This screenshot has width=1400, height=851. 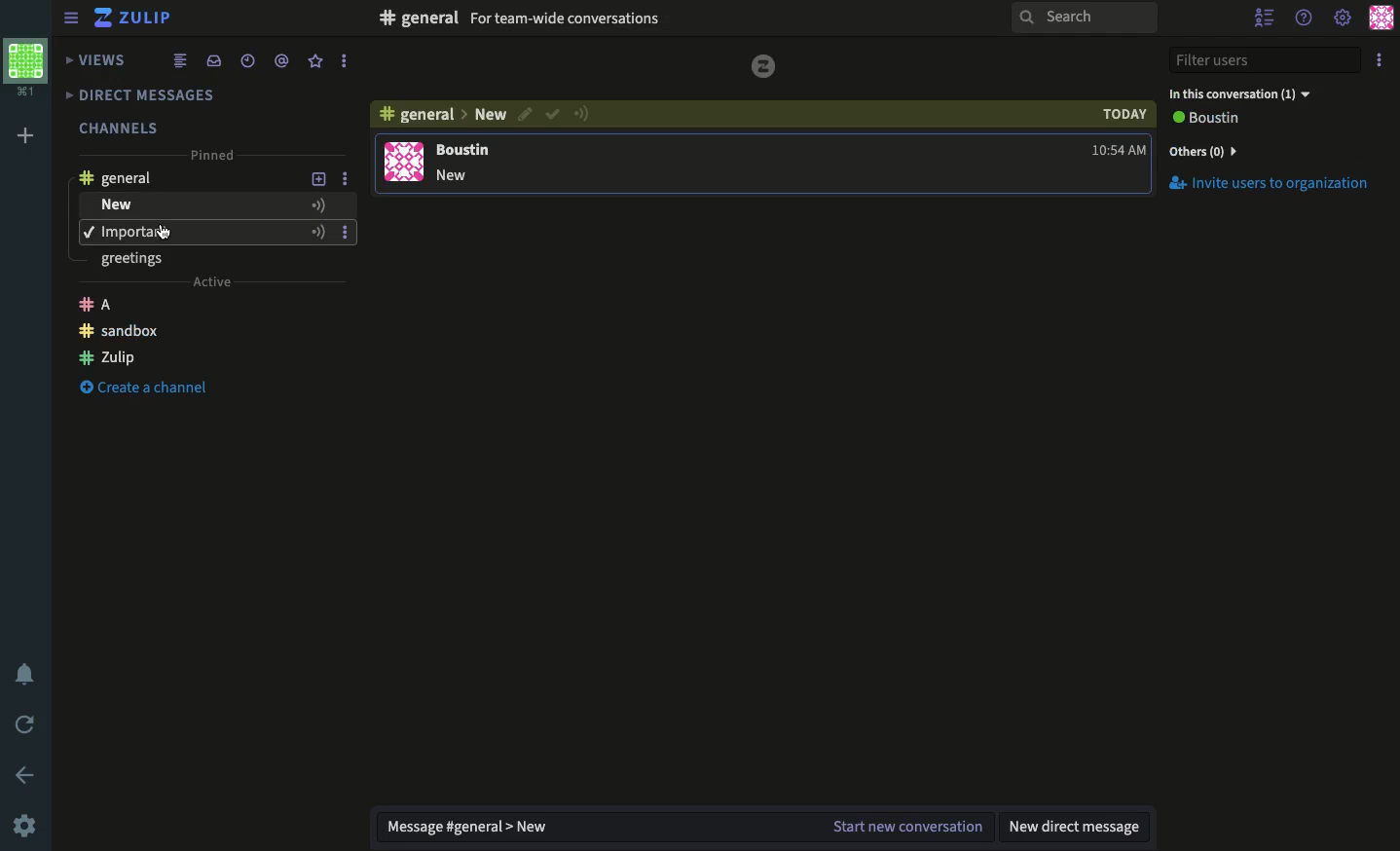 What do you see at coordinates (23, 672) in the screenshot?
I see `Notification` at bounding box center [23, 672].